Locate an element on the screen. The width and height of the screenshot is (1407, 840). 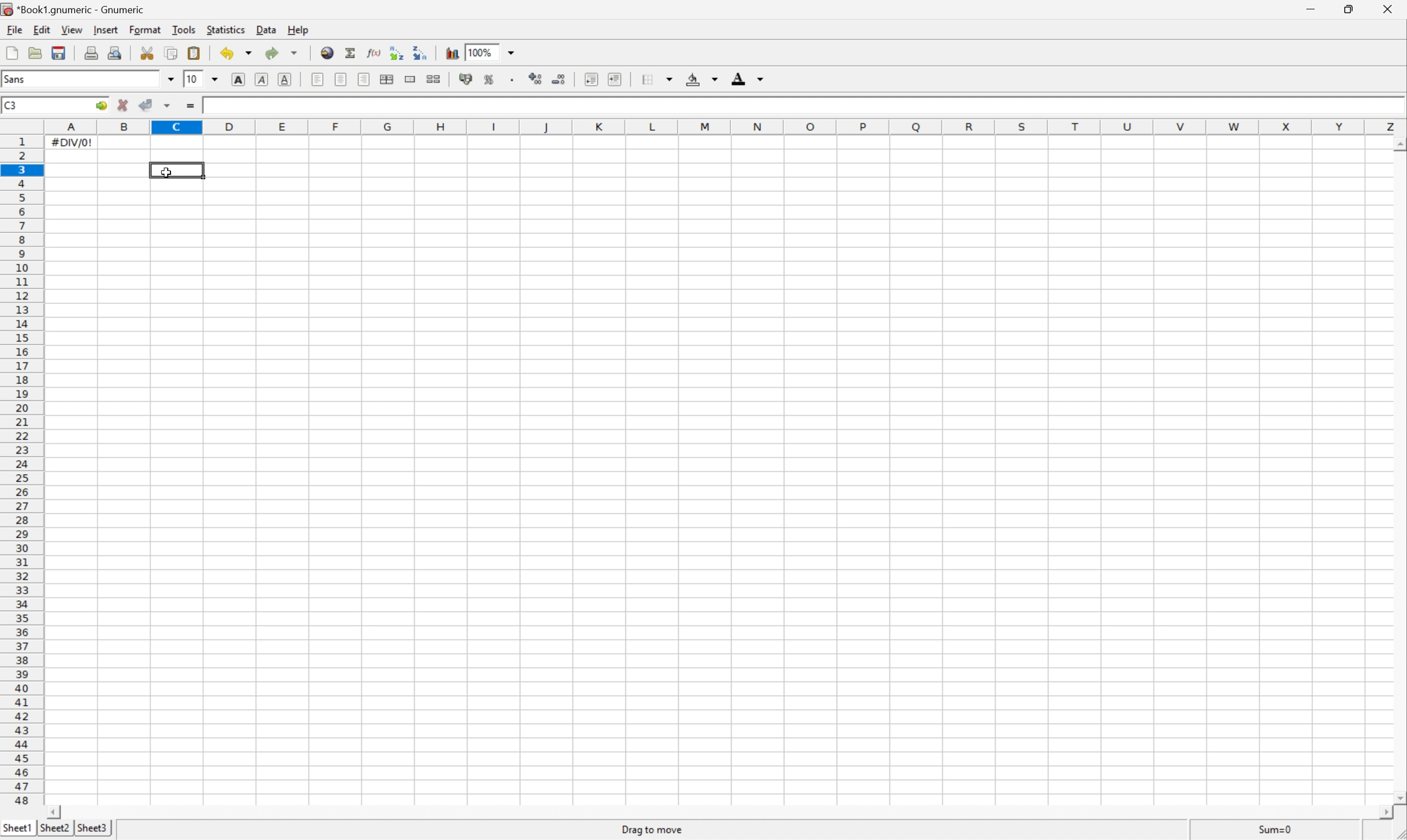
Increase the indent, and align the contents to left is located at coordinates (617, 80).